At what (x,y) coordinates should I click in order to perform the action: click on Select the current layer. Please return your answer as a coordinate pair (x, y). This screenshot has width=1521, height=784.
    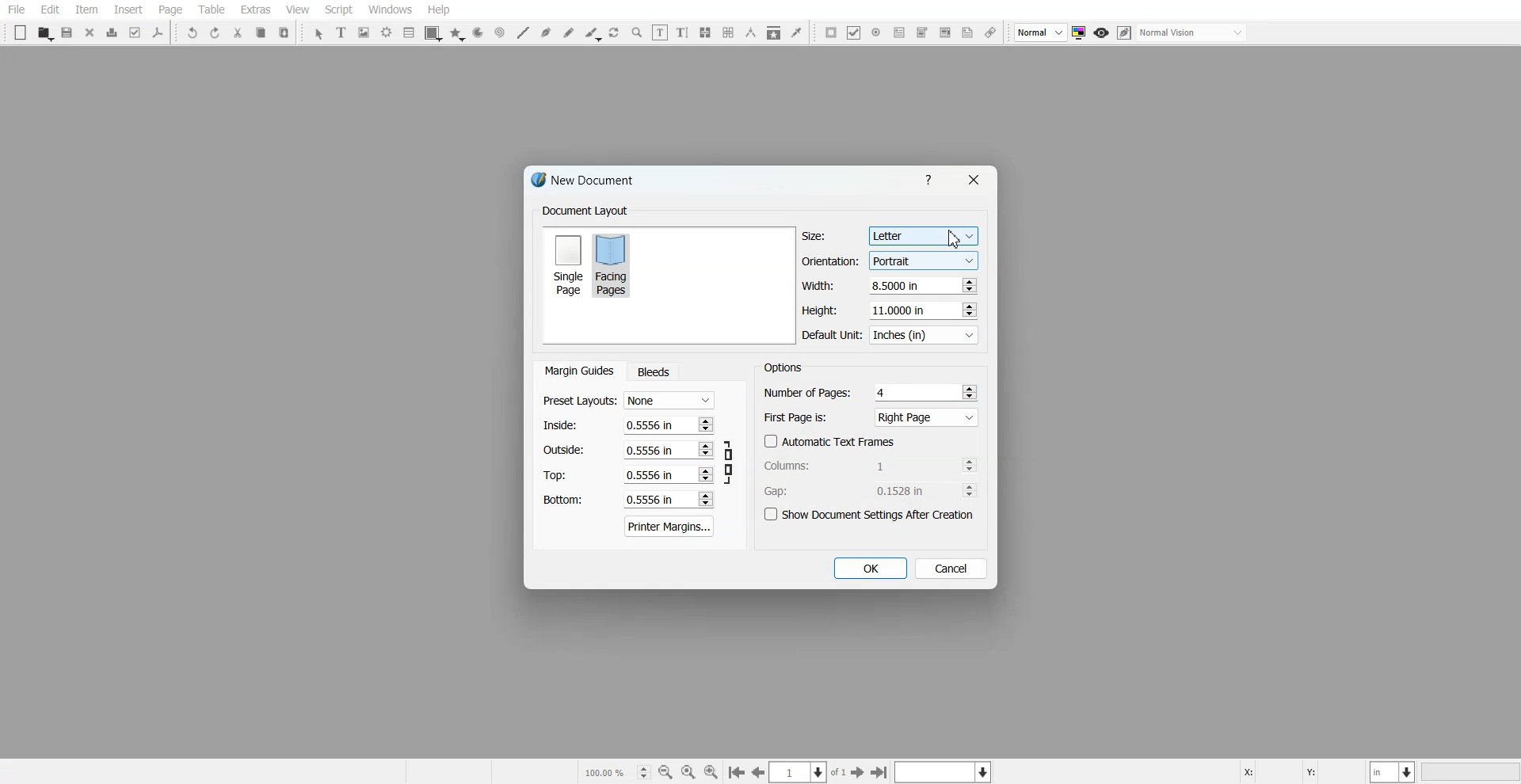
    Looking at the image, I should click on (945, 771).